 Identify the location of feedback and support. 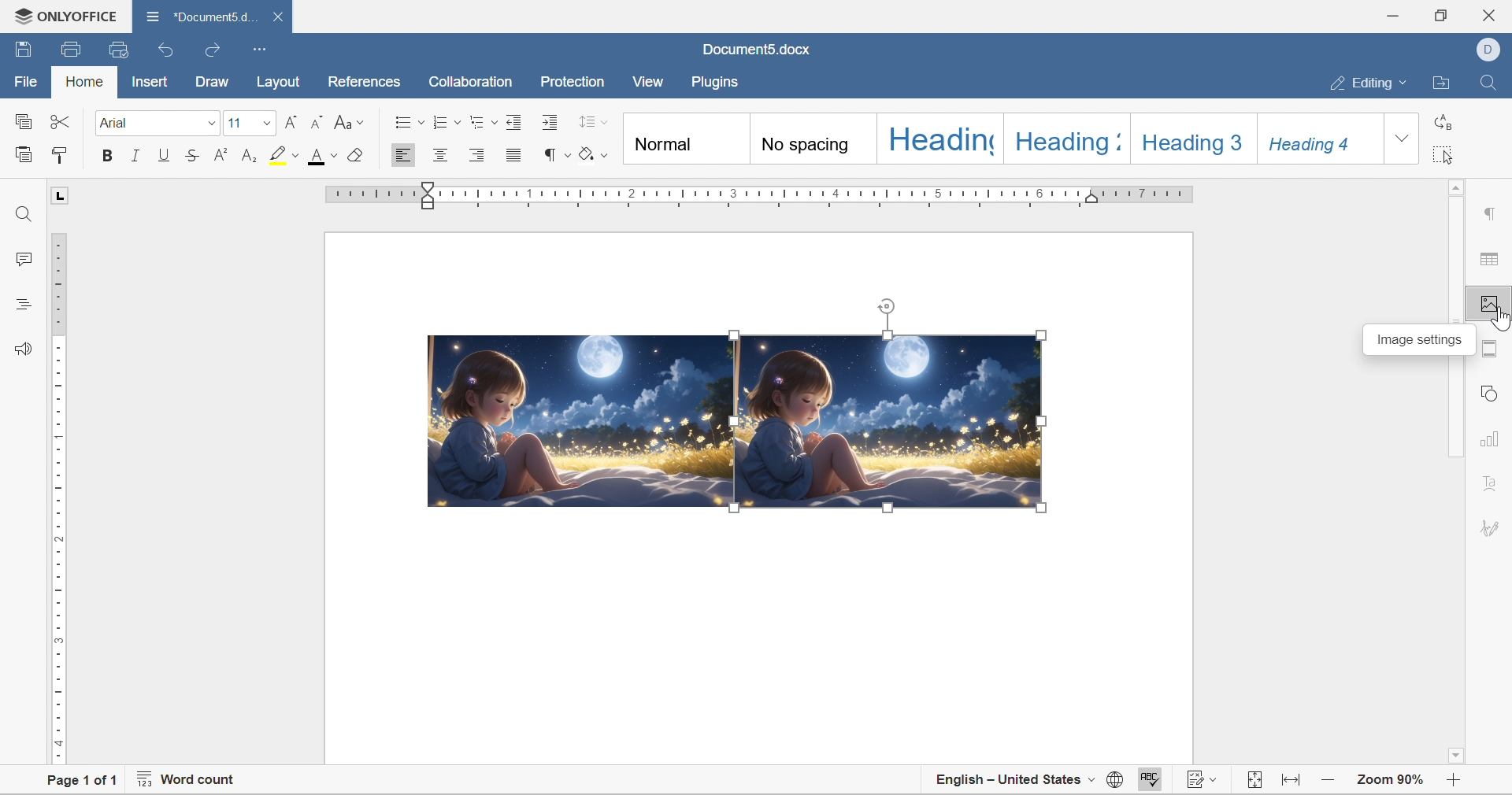
(26, 349).